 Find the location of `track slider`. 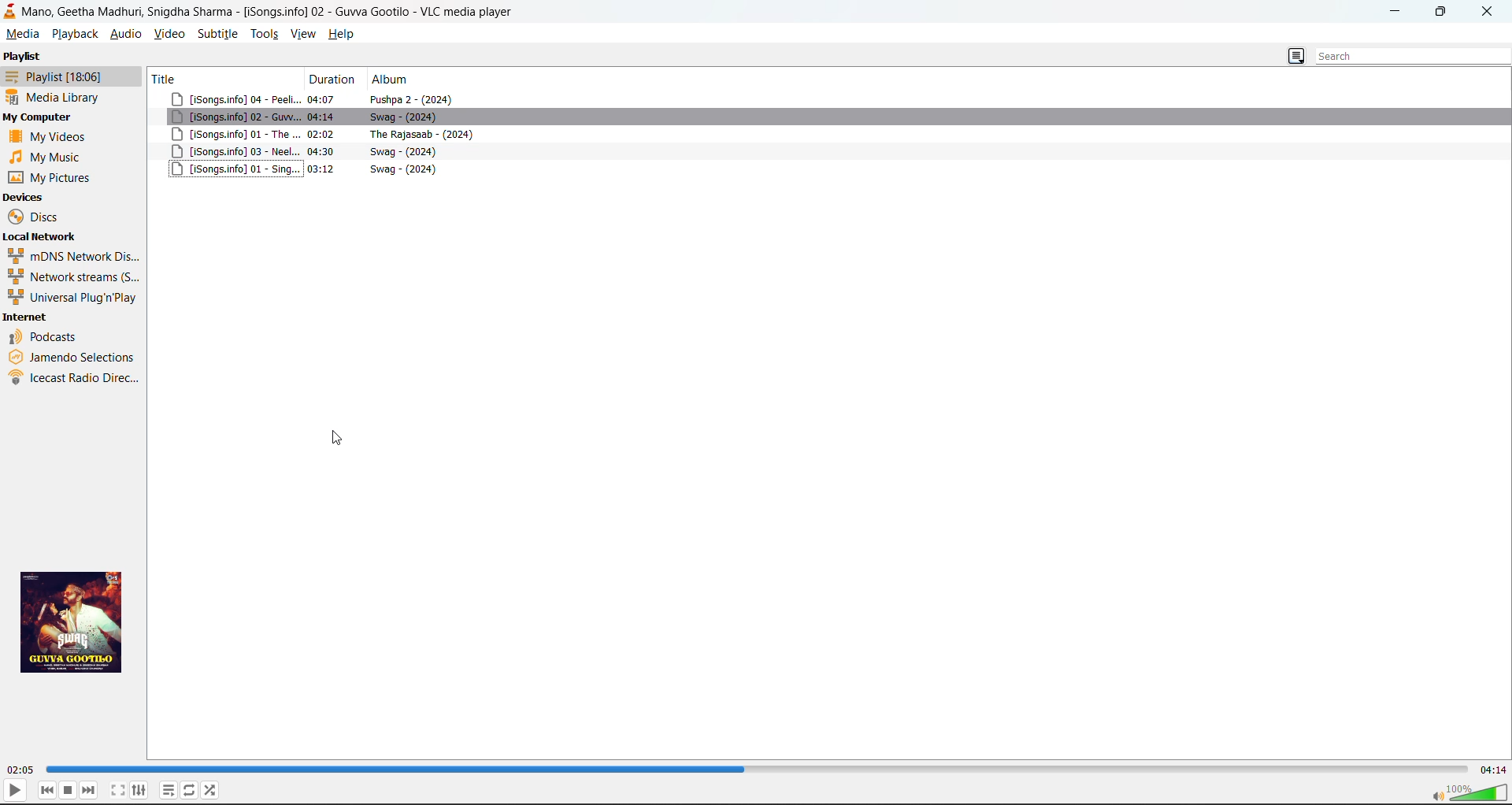

track slider is located at coordinates (758, 768).